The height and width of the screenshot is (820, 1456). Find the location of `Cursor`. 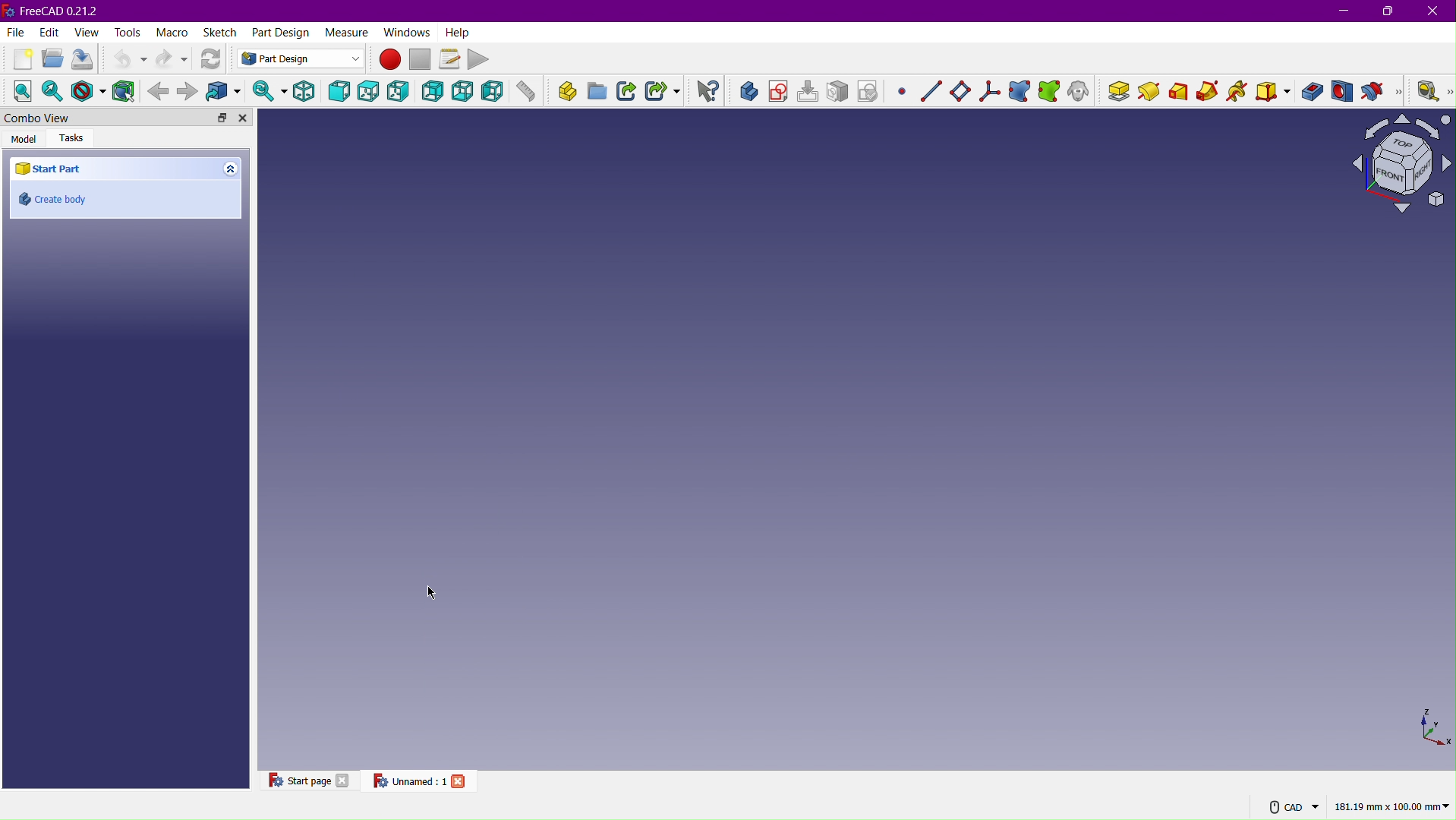

Cursor is located at coordinates (436, 586).